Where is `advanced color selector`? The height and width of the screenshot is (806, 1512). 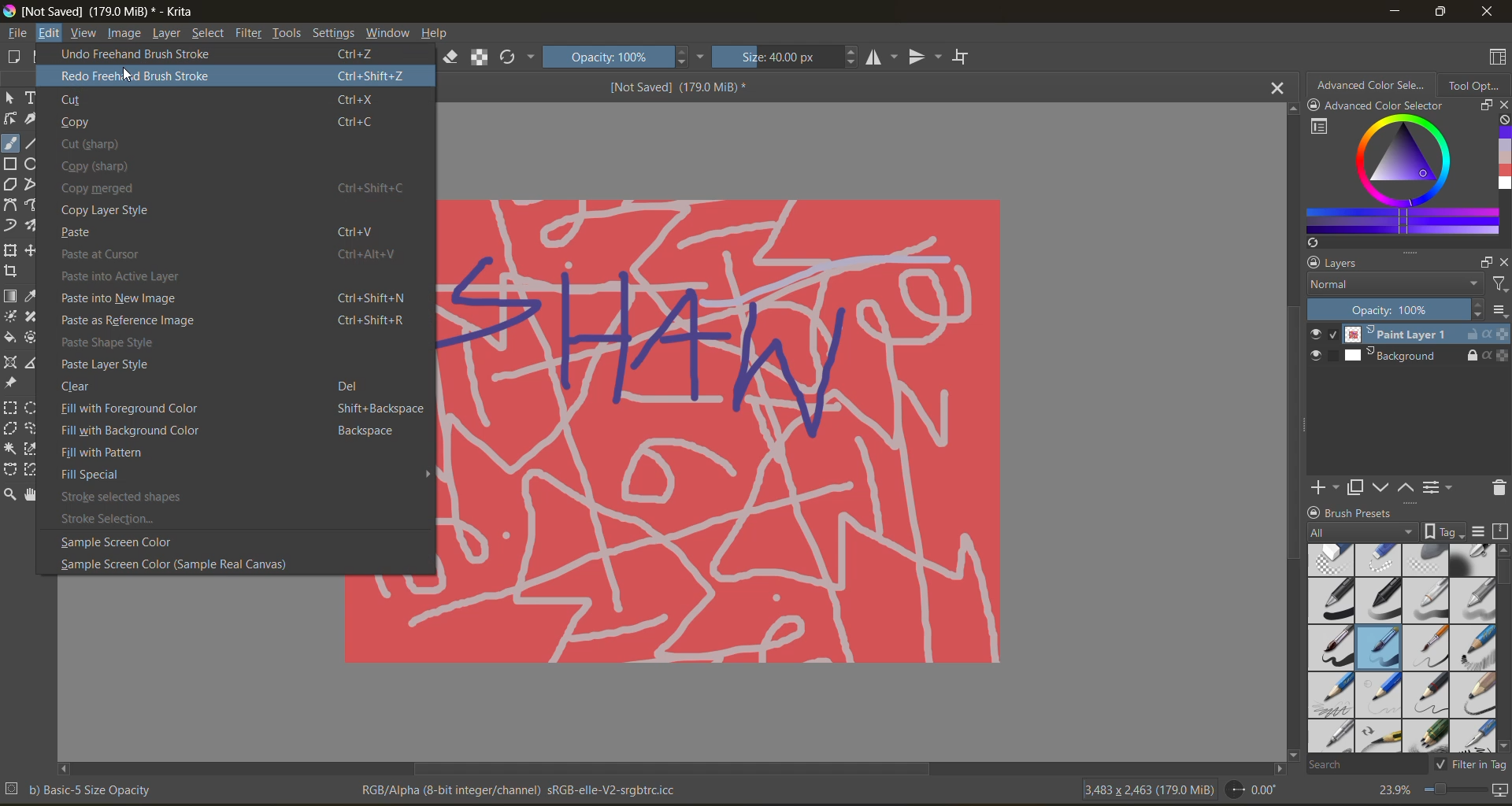
advanced color selector is located at coordinates (1398, 182).